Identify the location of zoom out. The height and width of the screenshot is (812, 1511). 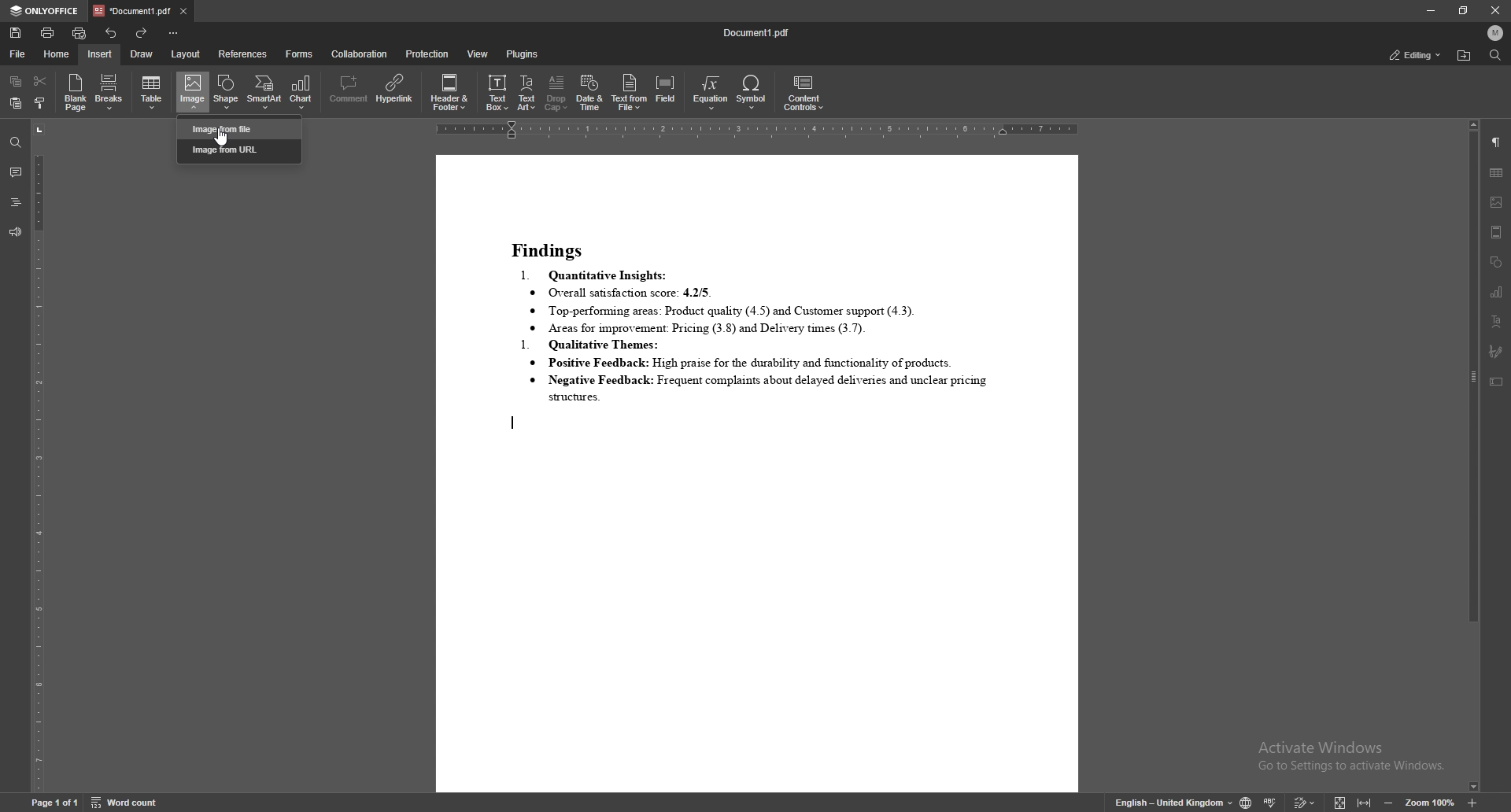
(1388, 803).